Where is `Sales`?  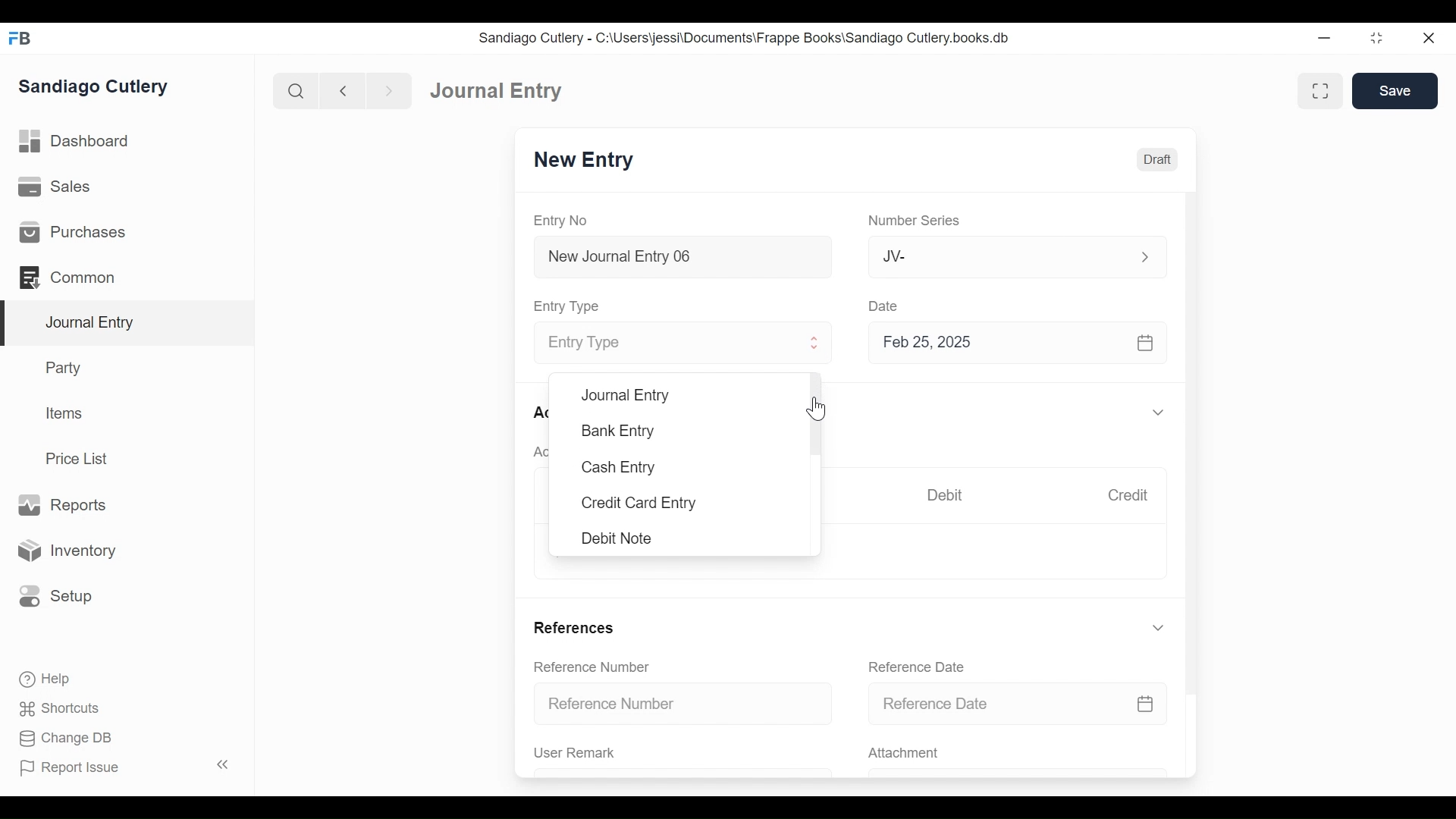 Sales is located at coordinates (60, 187).